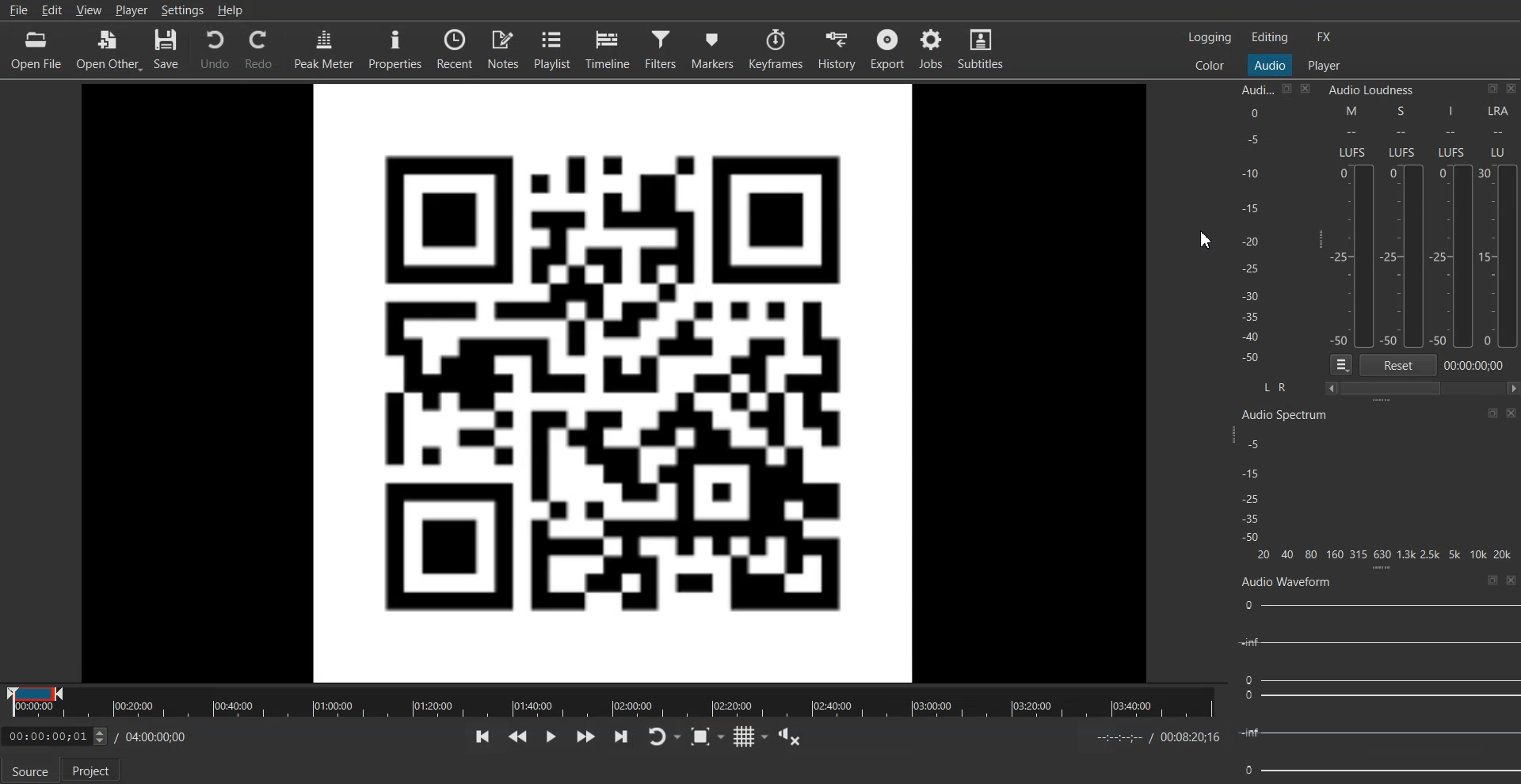  I want to click on Redo, so click(261, 49).